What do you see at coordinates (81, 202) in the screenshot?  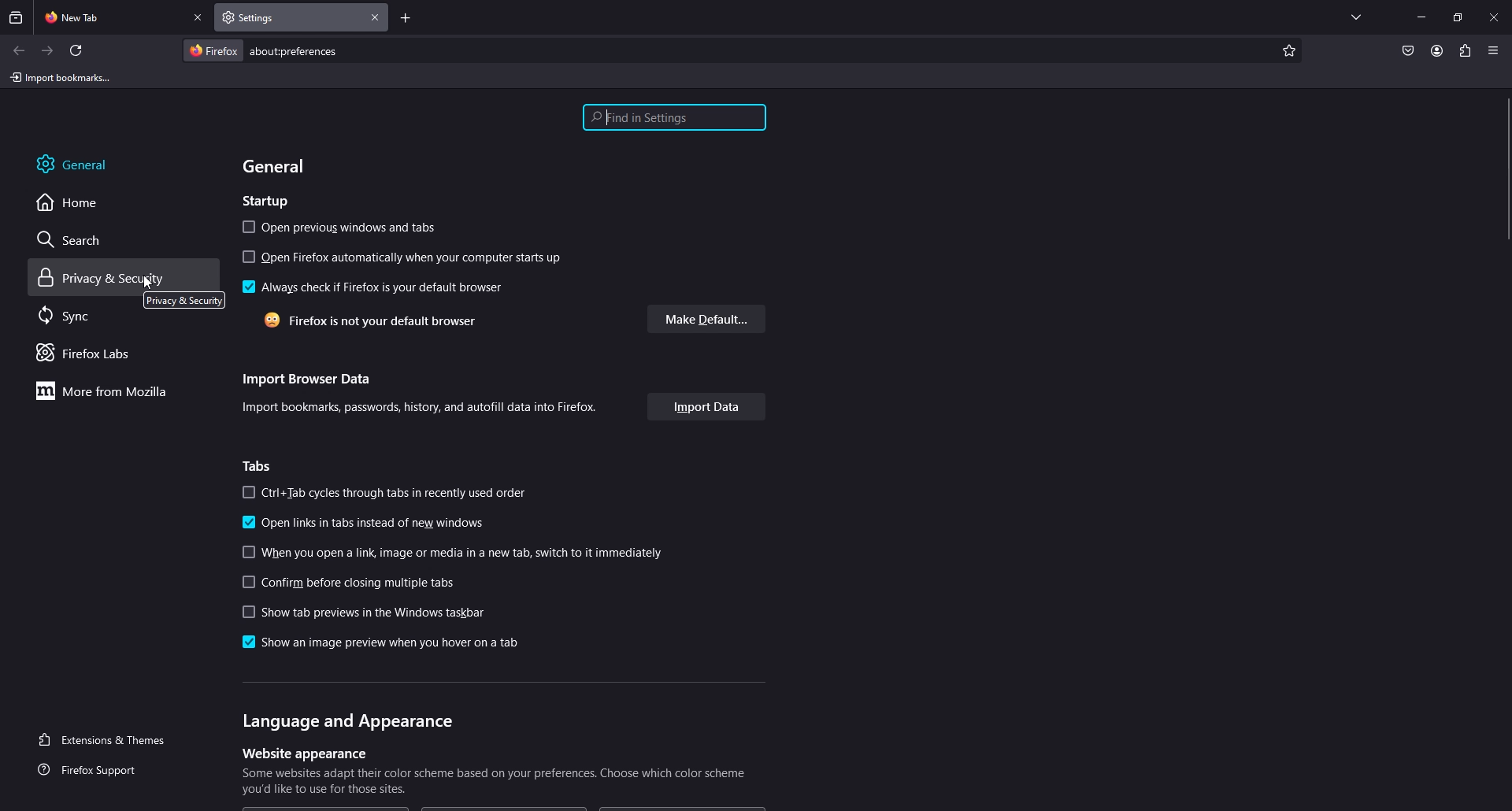 I see `home` at bounding box center [81, 202].